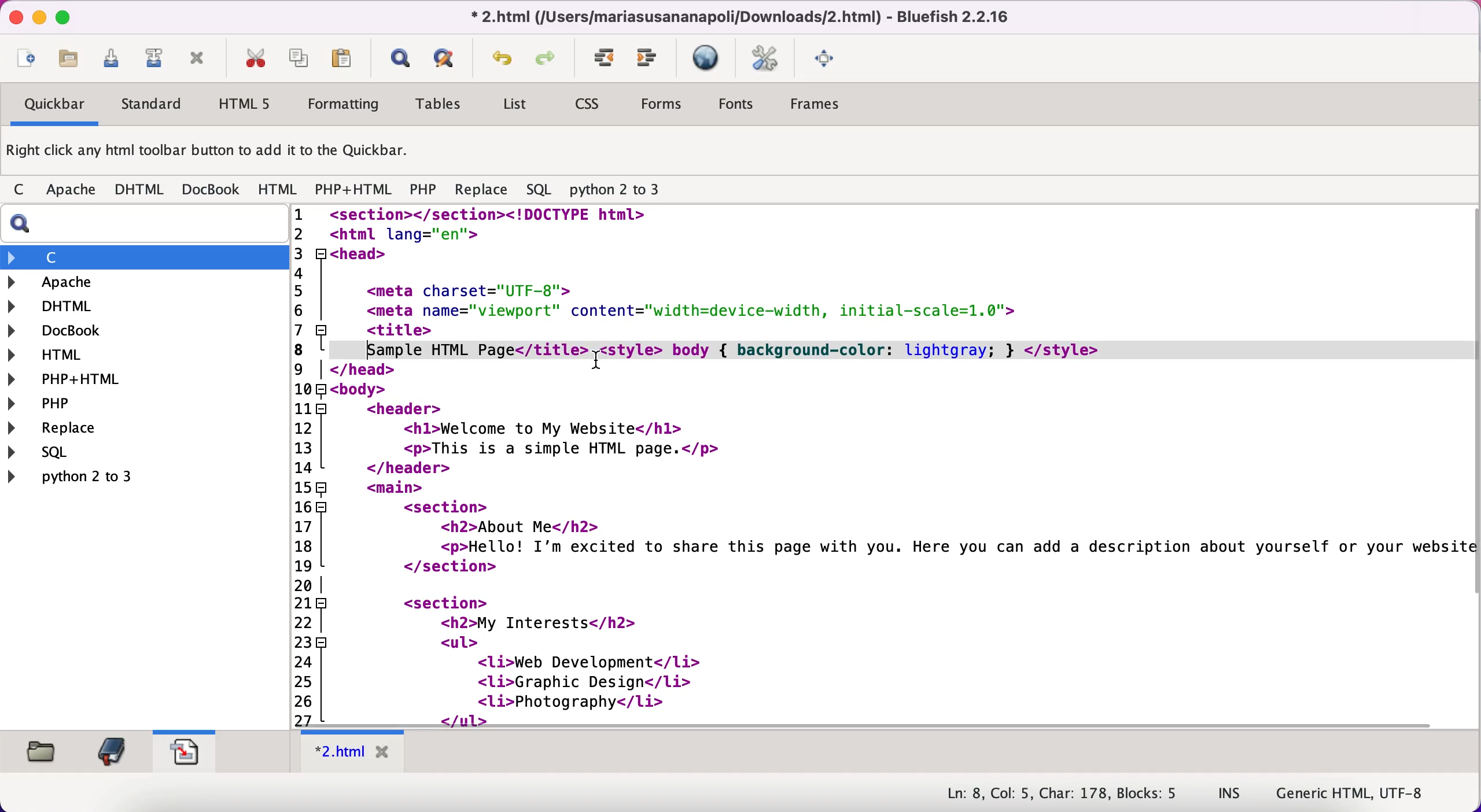 The height and width of the screenshot is (812, 1481). I want to click on search bar, so click(142, 224).